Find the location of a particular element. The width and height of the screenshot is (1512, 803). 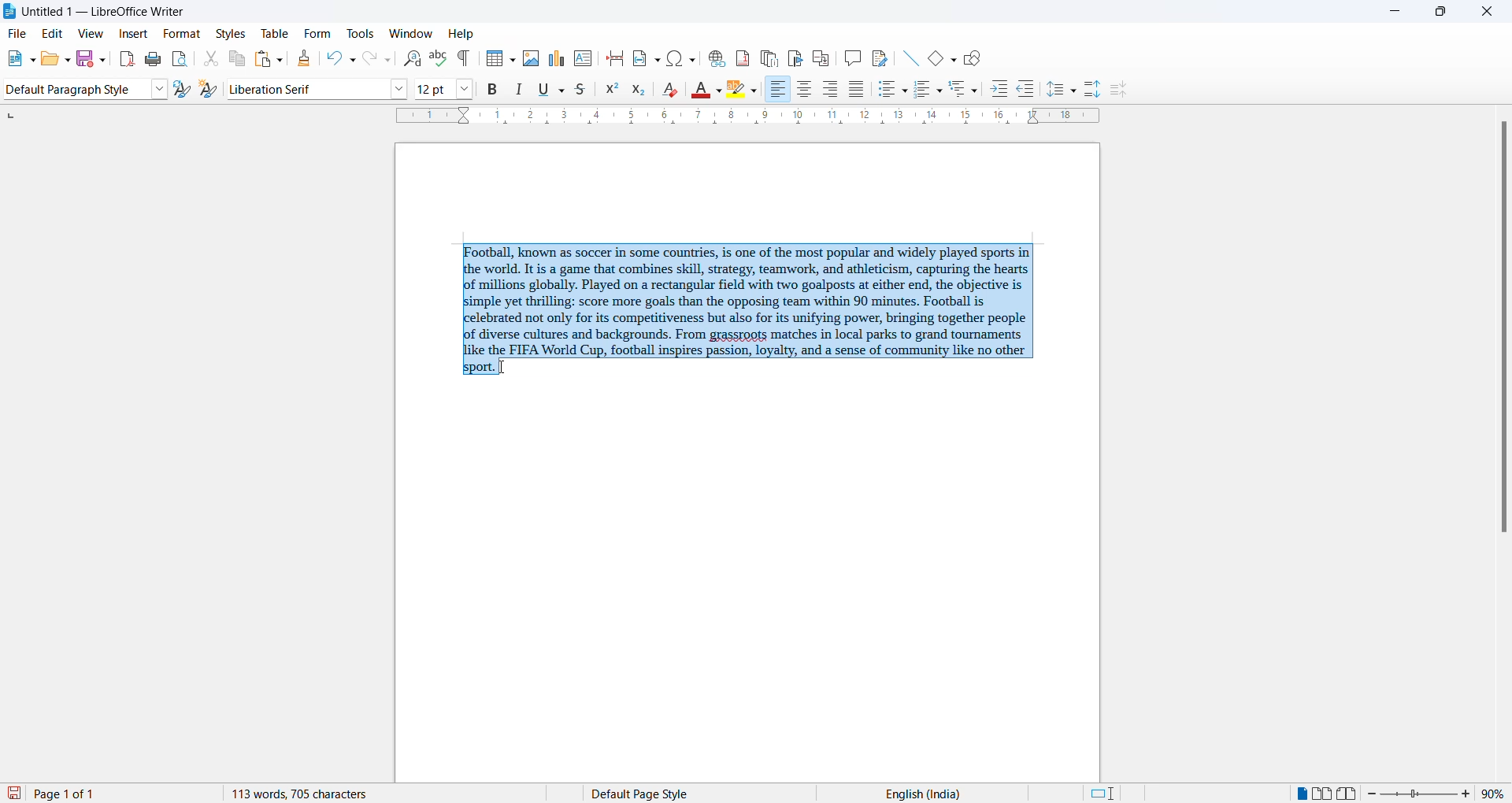

undo is located at coordinates (341, 58).